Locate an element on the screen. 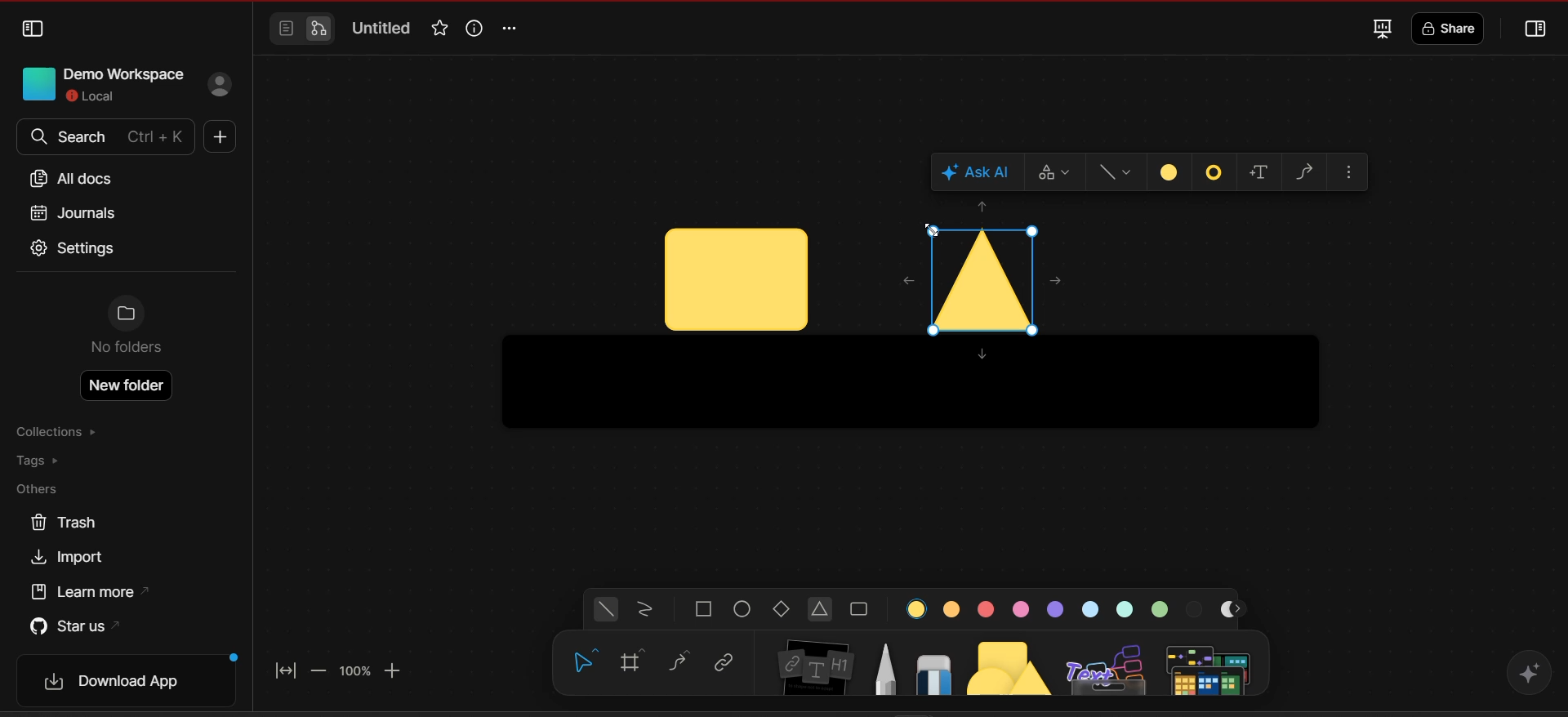 The width and height of the screenshot is (1568, 717). others is located at coordinates (45, 490).